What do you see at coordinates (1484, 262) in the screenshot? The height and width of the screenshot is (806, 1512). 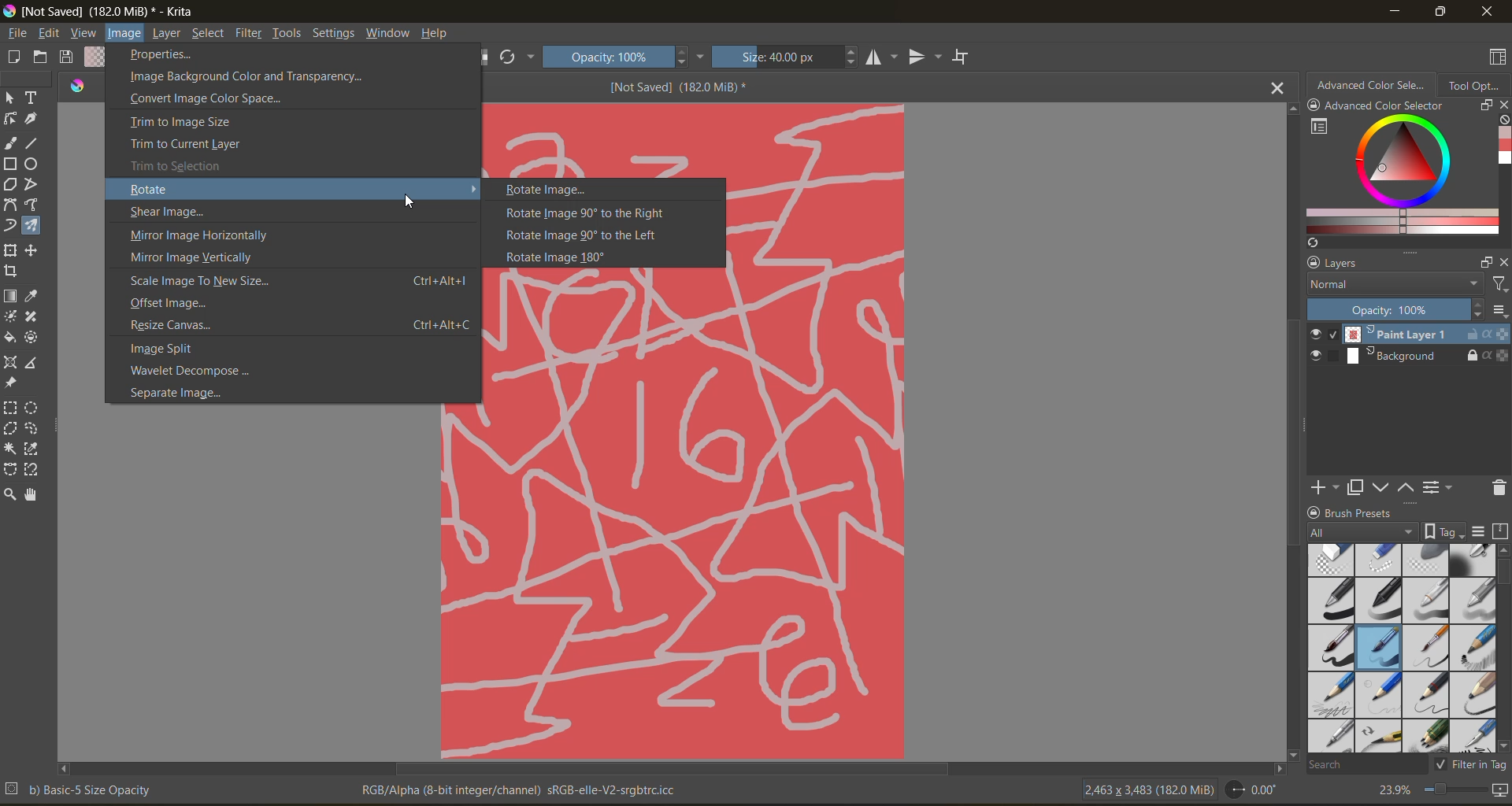 I see `float docker` at bounding box center [1484, 262].